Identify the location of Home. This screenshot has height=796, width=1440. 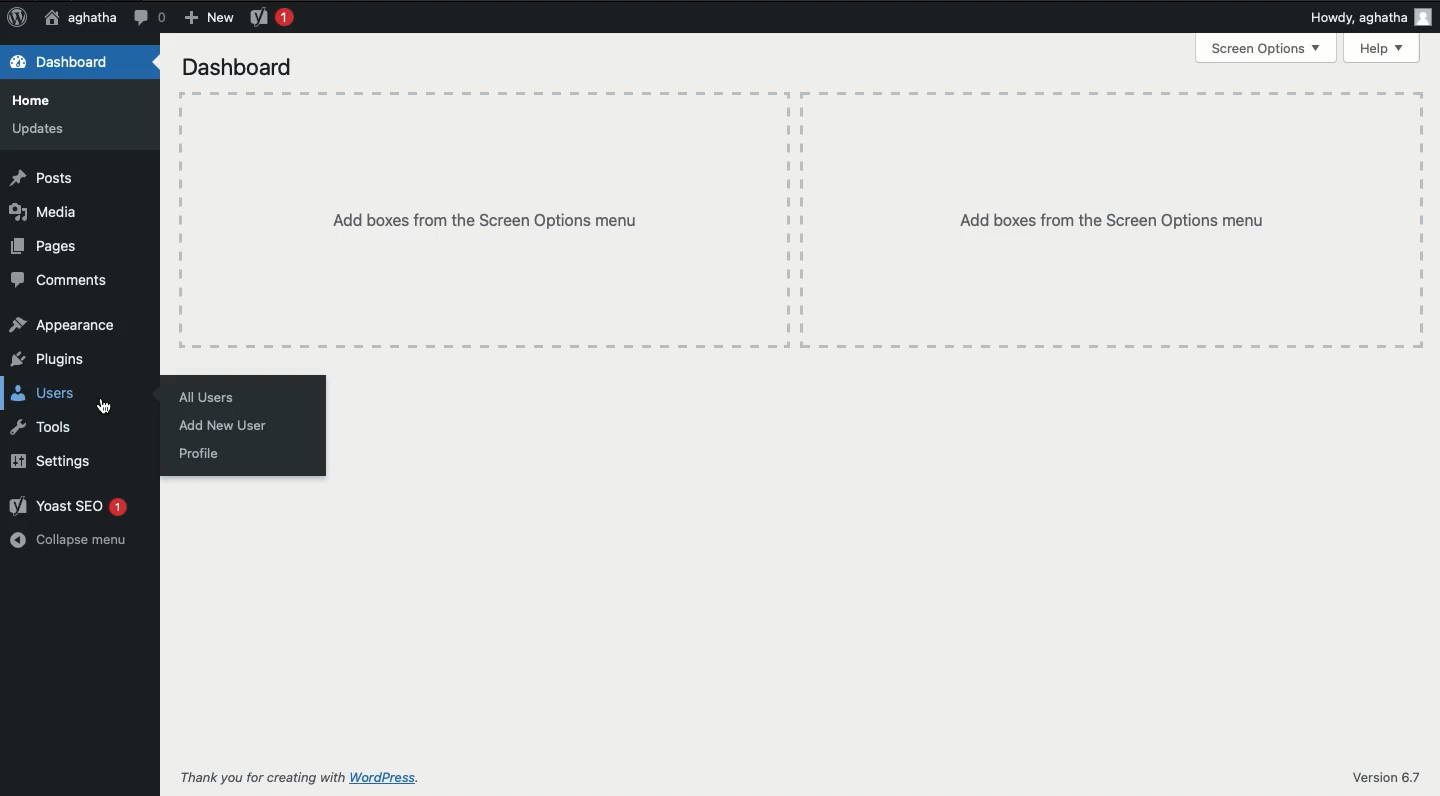
(34, 101).